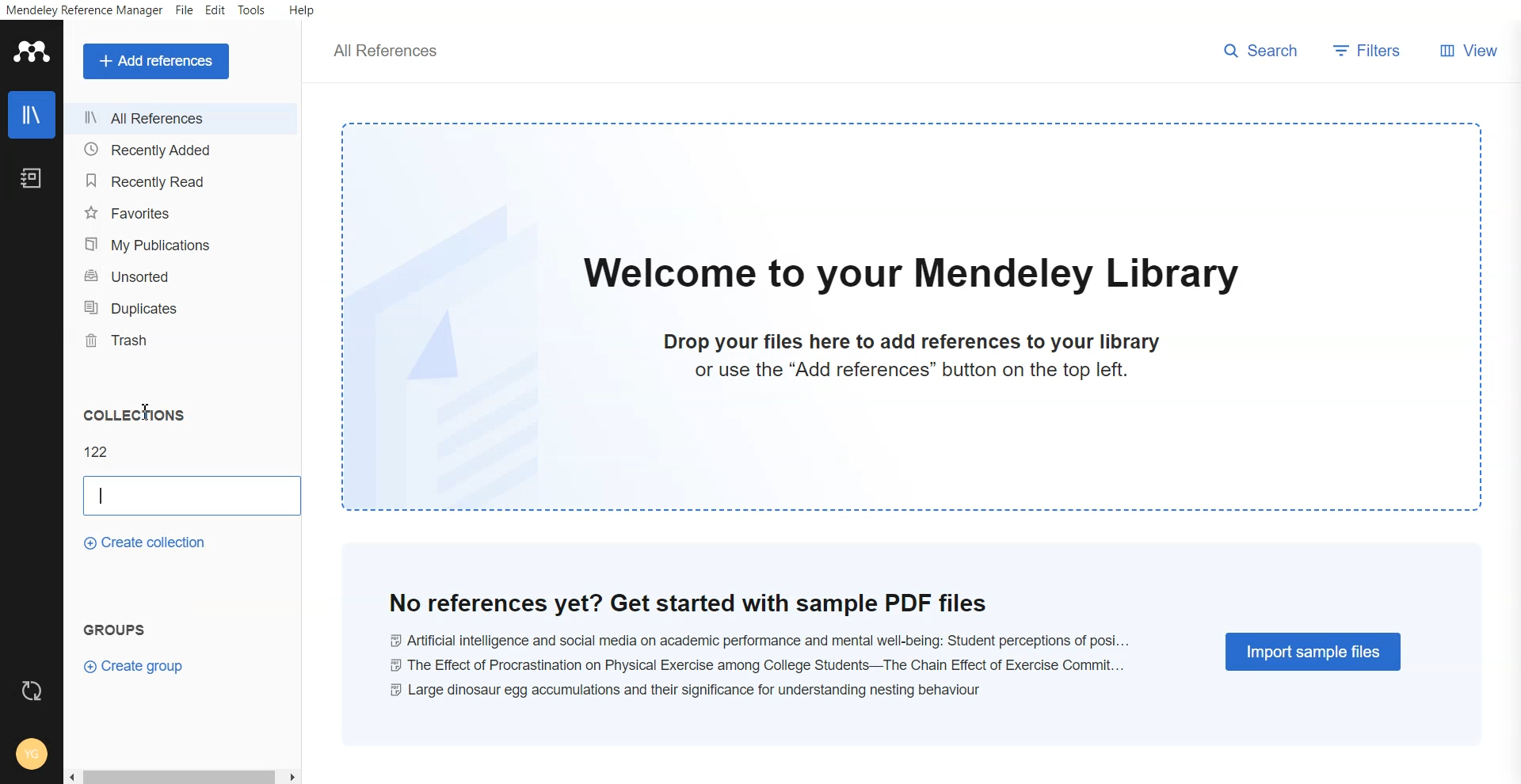 The image size is (1521, 784). What do you see at coordinates (70, 777) in the screenshot?
I see `scroll left` at bounding box center [70, 777].